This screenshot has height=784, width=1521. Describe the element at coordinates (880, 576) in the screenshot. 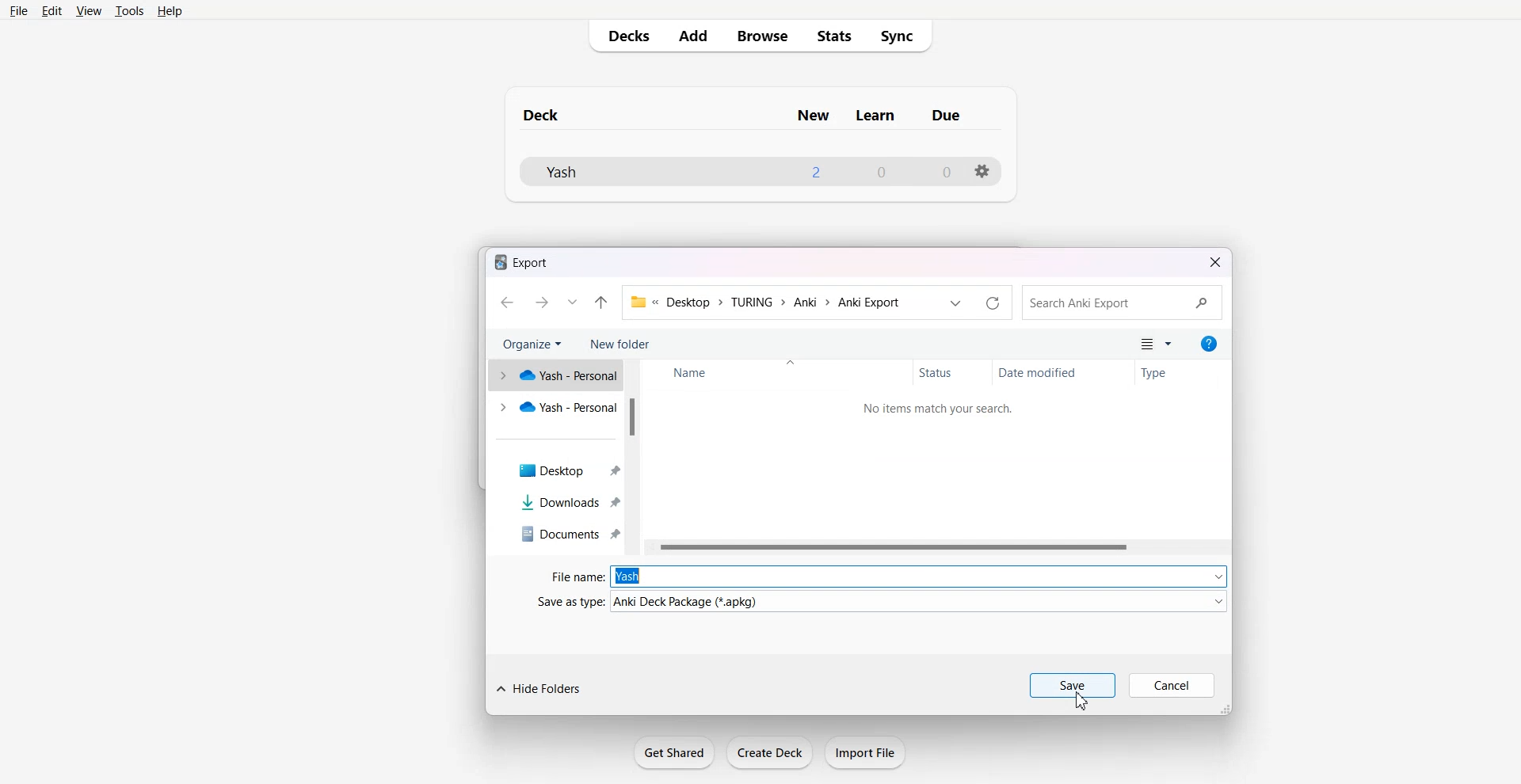

I see `File Name` at that location.